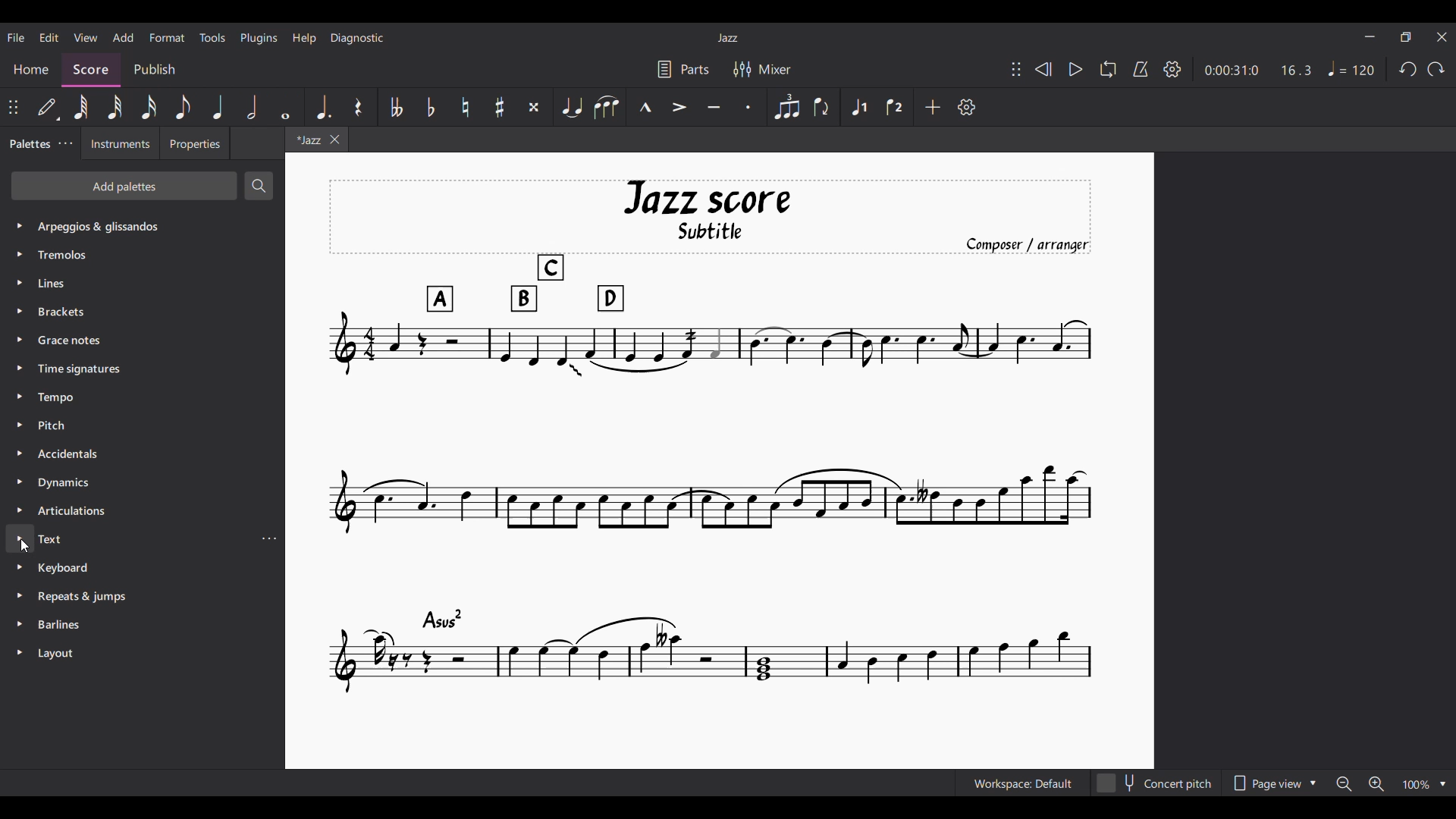  What do you see at coordinates (28, 144) in the screenshot?
I see `Palettes` at bounding box center [28, 144].